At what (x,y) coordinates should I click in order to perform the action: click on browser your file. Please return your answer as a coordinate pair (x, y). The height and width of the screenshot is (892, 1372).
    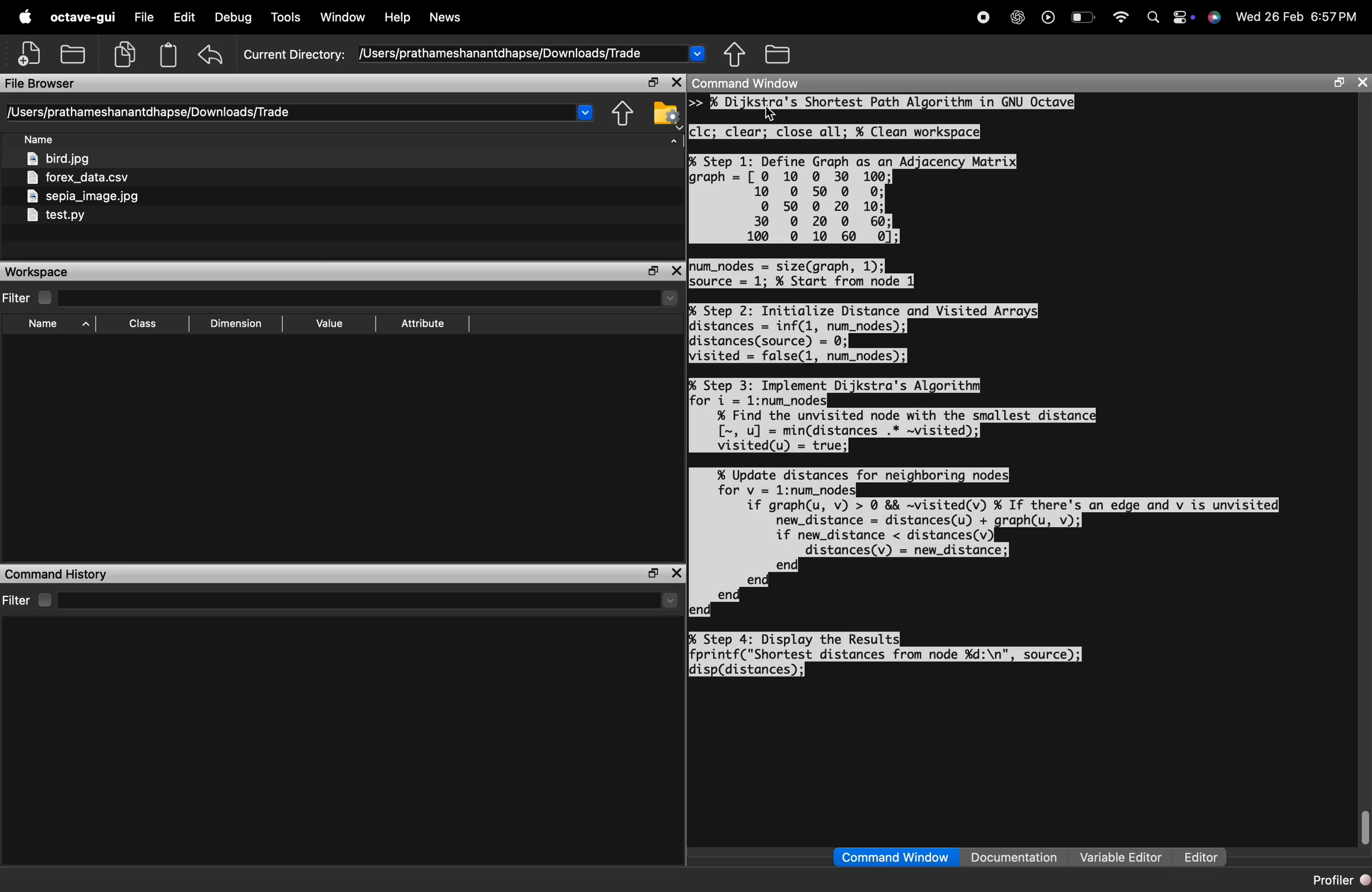
    Looking at the image, I should click on (666, 117).